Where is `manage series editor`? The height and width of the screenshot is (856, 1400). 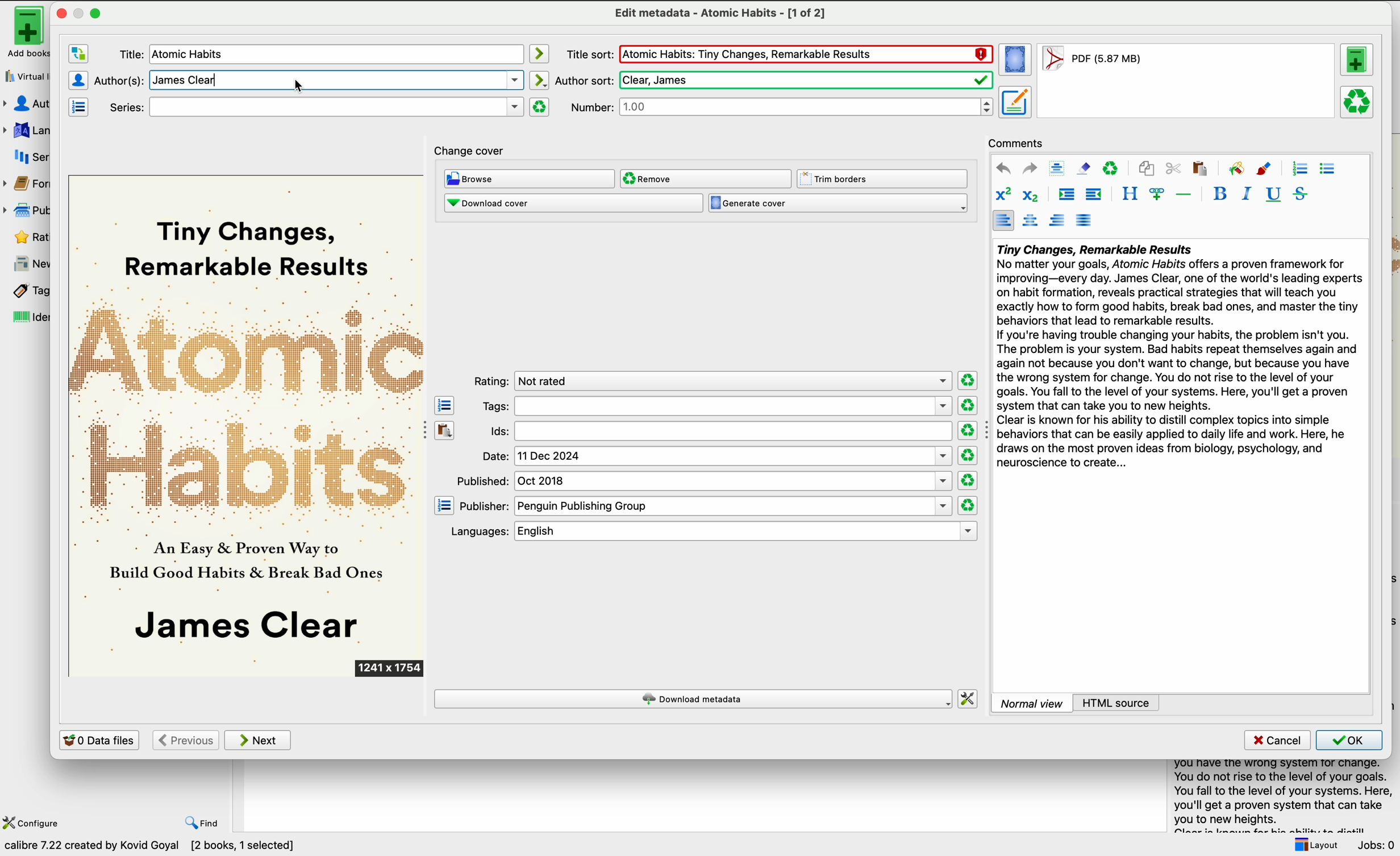 manage series editor is located at coordinates (81, 107).